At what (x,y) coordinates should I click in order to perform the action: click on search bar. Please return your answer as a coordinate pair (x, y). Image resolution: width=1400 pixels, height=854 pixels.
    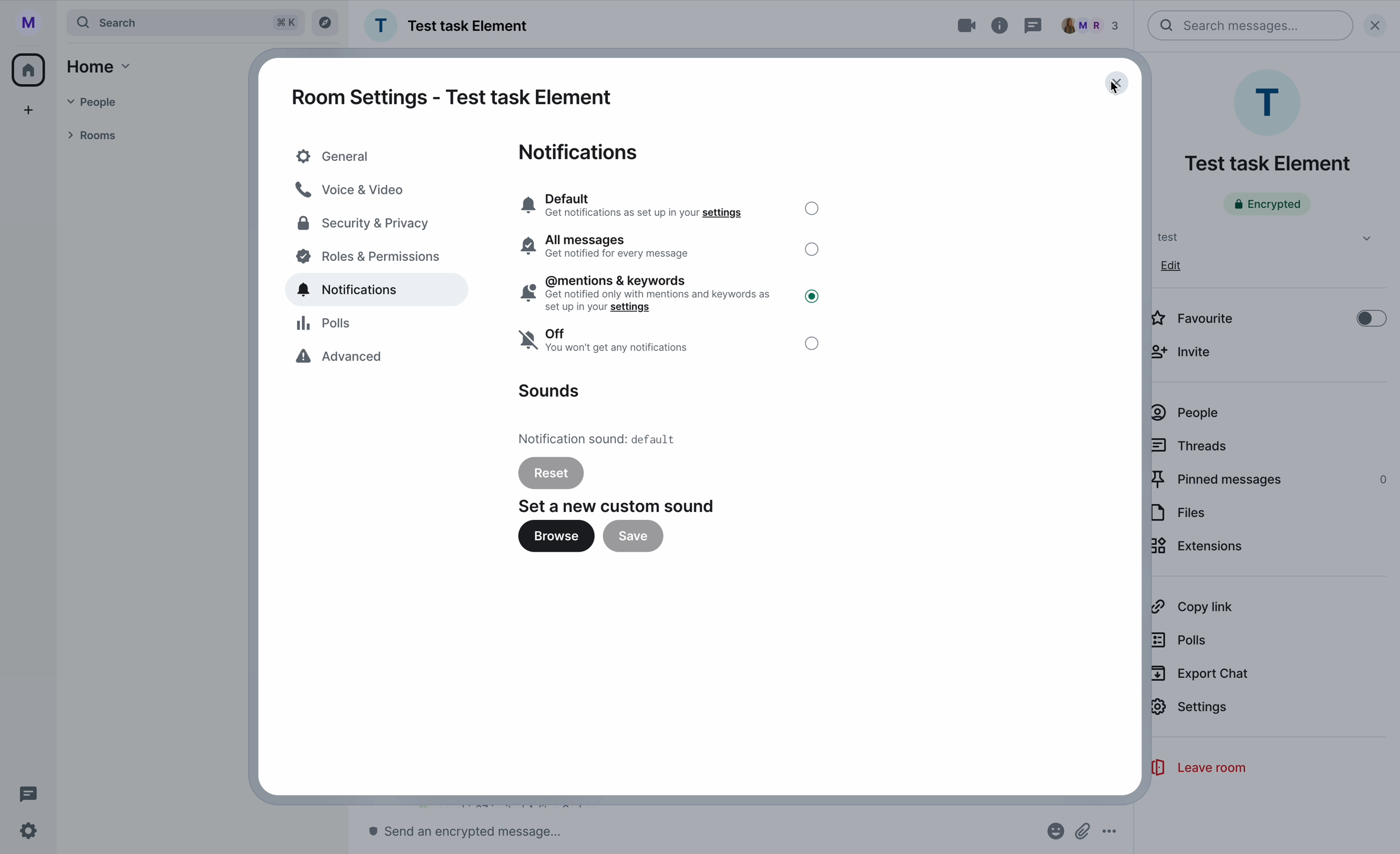
    Looking at the image, I should click on (1251, 26).